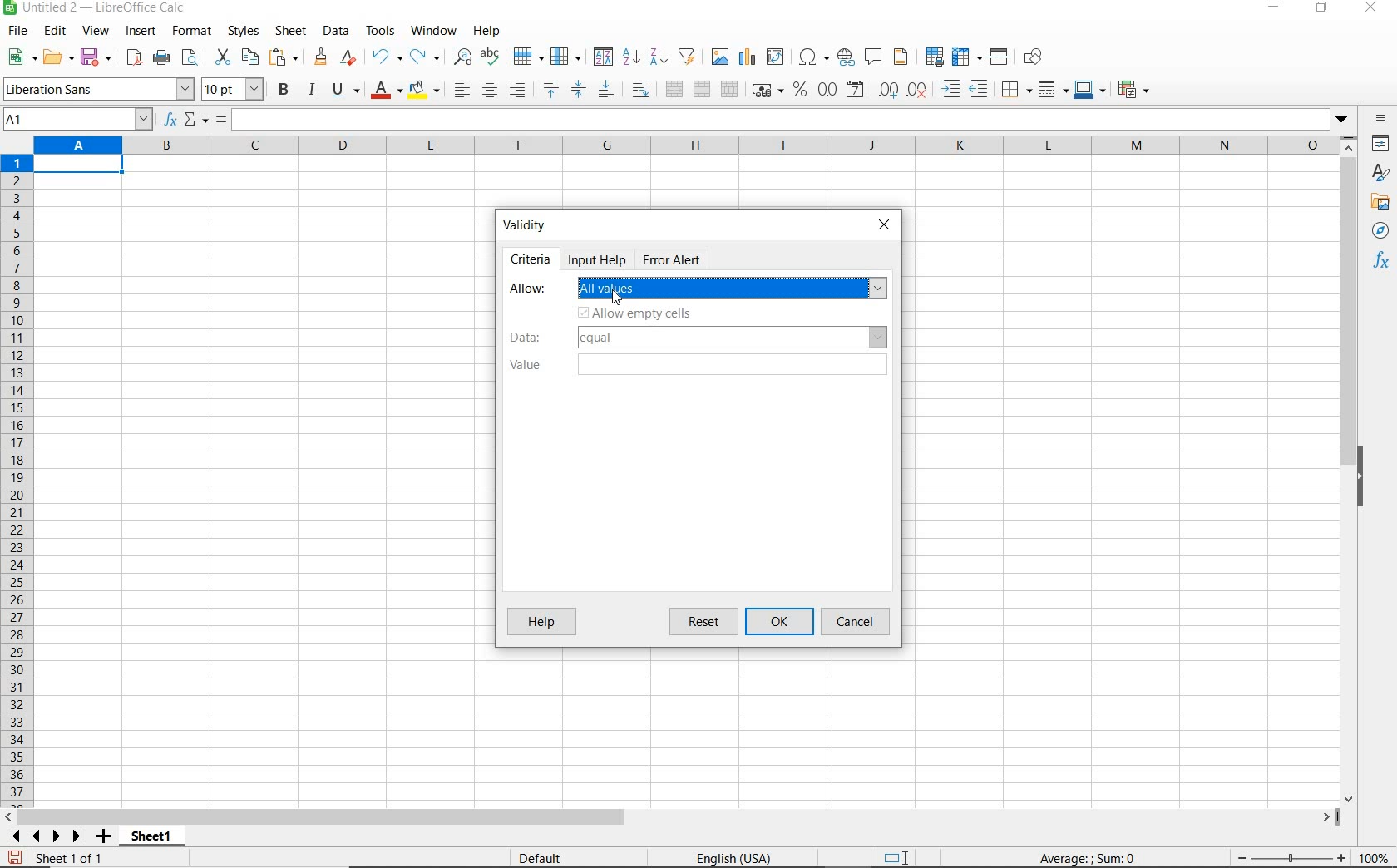  Describe the element at coordinates (729, 89) in the screenshot. I see `unmerge cells` at that location.